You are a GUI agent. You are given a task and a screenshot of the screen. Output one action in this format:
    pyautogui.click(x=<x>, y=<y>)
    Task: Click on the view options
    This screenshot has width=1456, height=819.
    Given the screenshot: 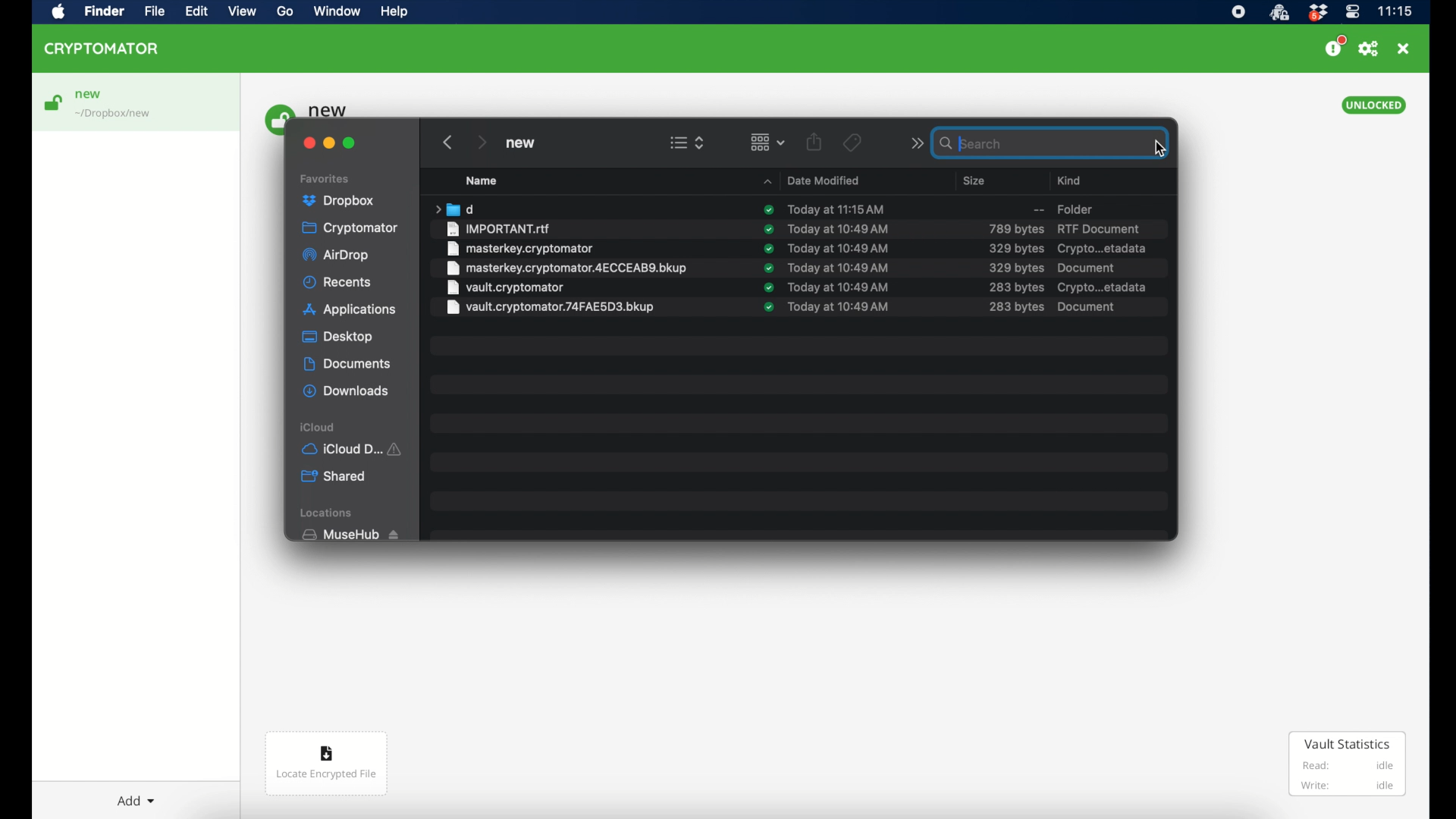 What is the action you would take?
    pyautogui.click(x=686, y=141)
    